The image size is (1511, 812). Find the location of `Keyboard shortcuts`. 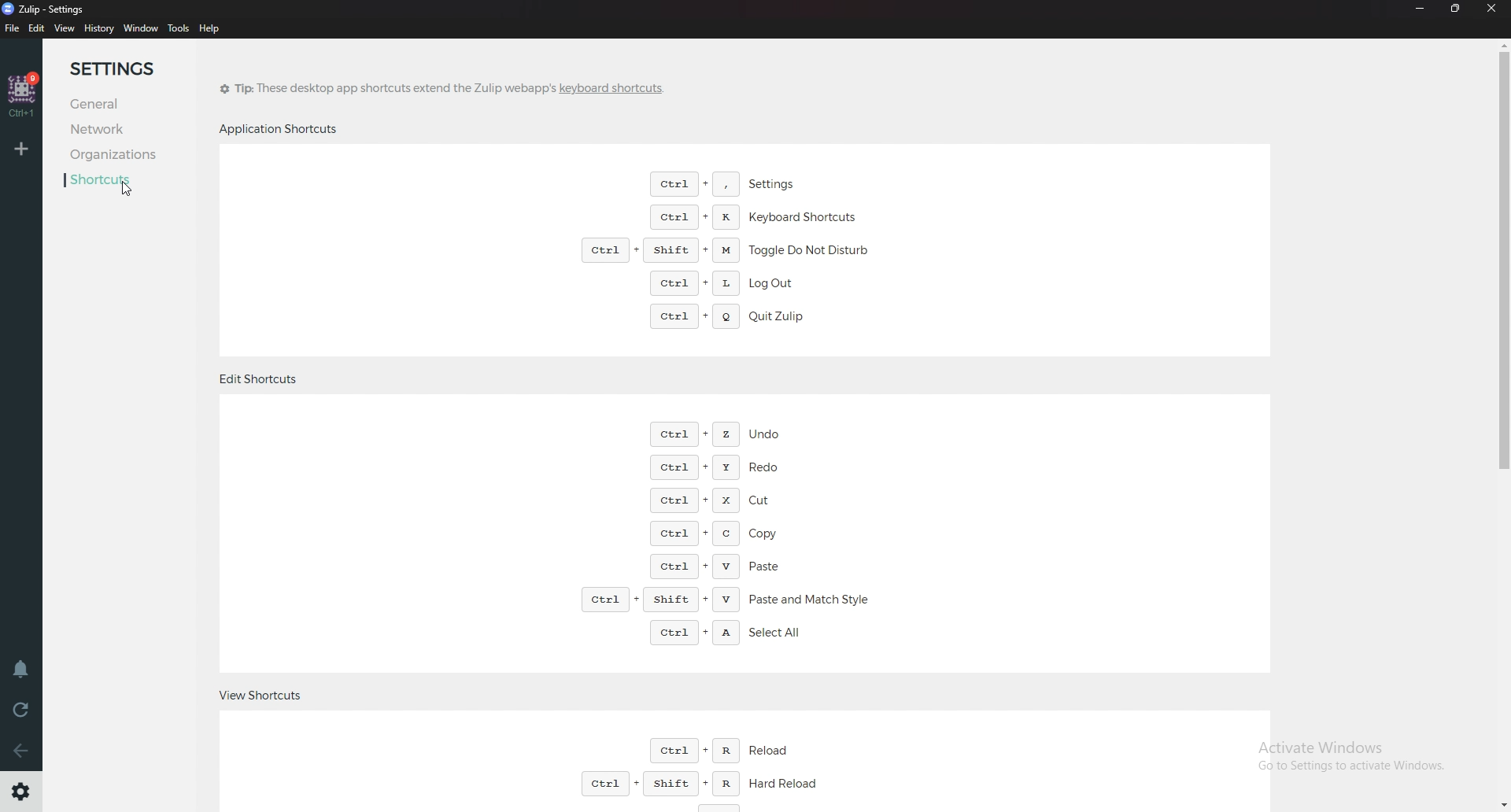

Keyboard shortcuts is located at coordinates (754, 217).